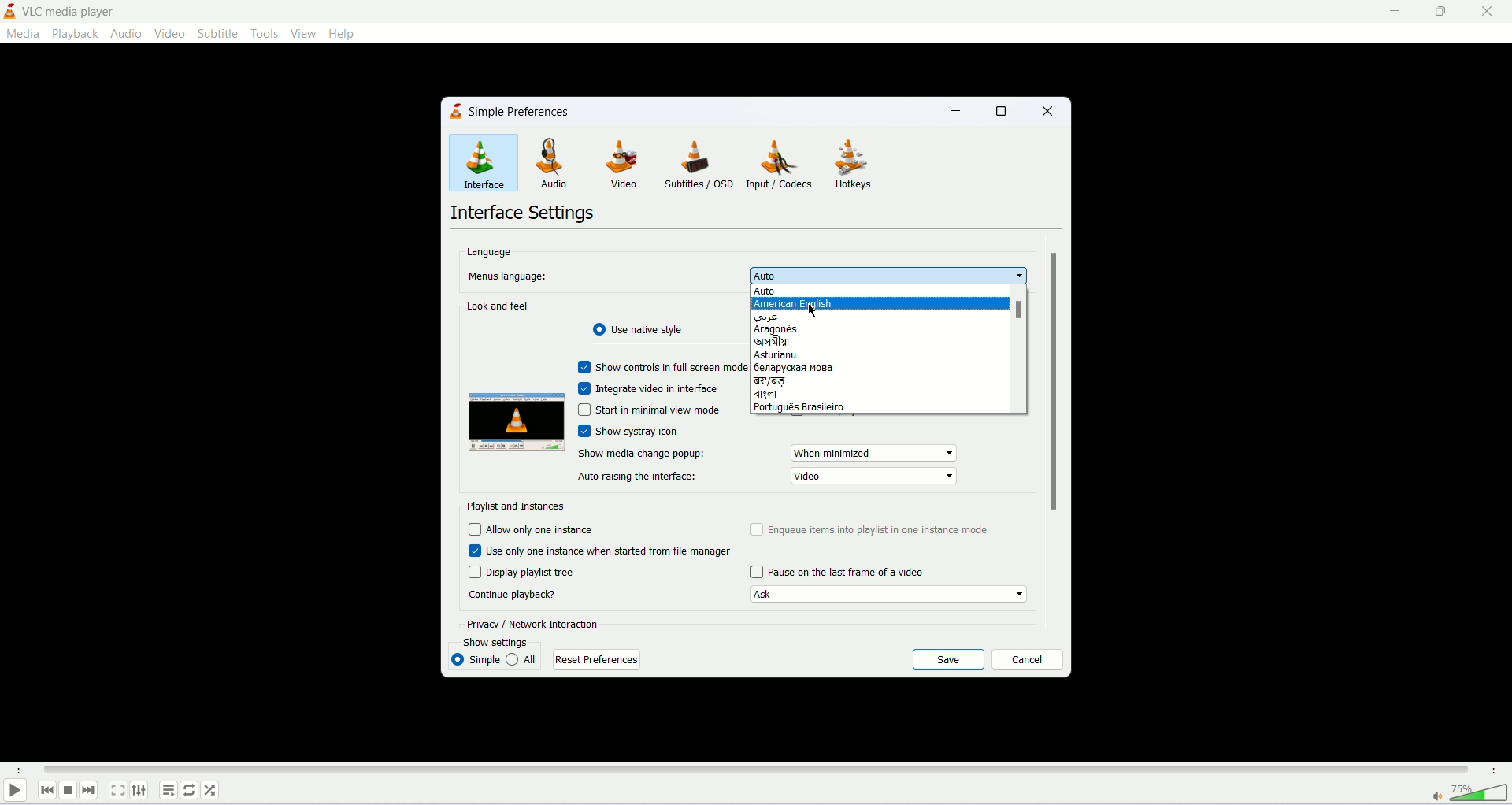 This screenshot has width=1512, height=805. I want to click on reset preferences, so click(595, 659).